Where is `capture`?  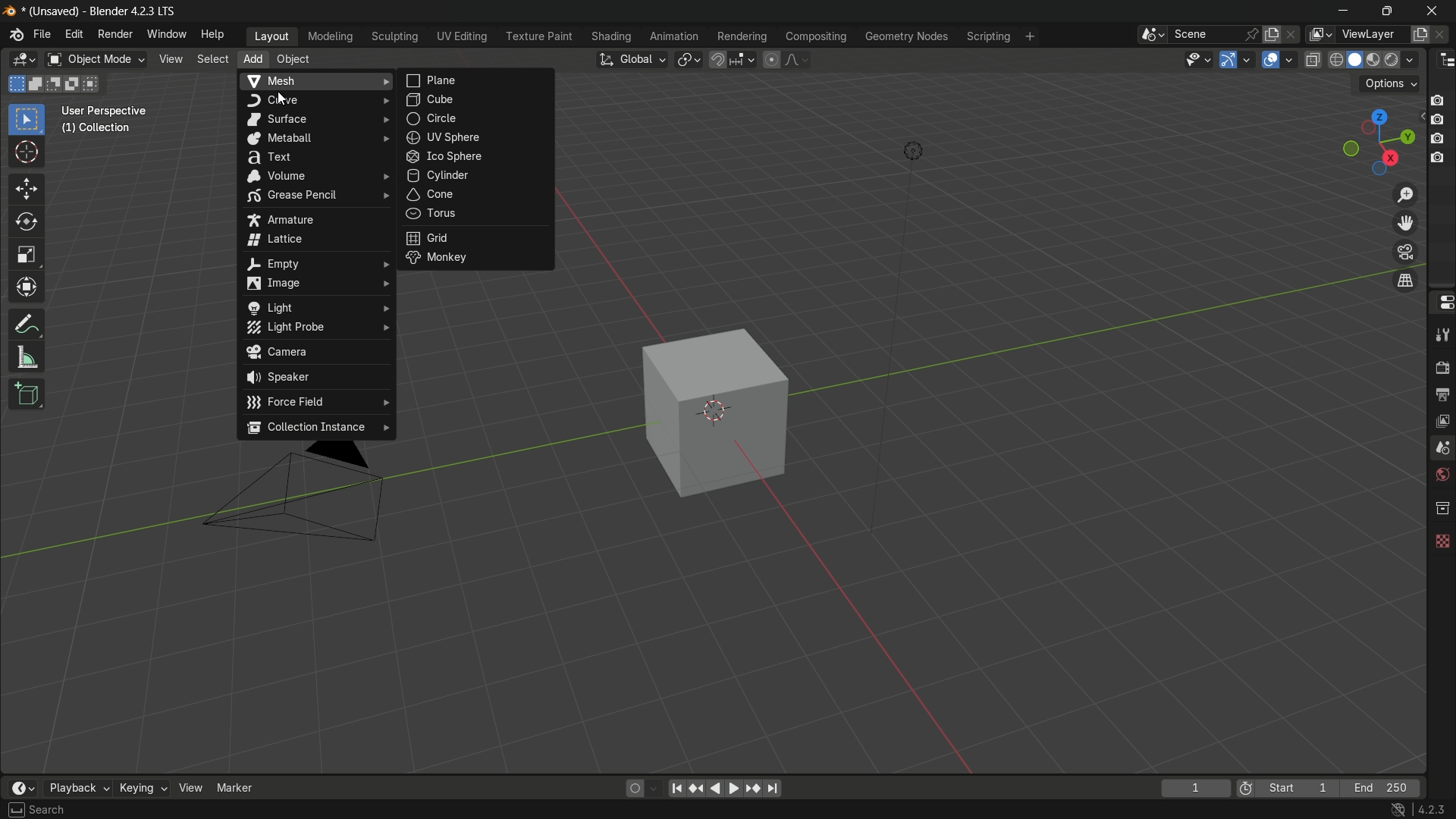 capture is located at coordinates (1439, 139).